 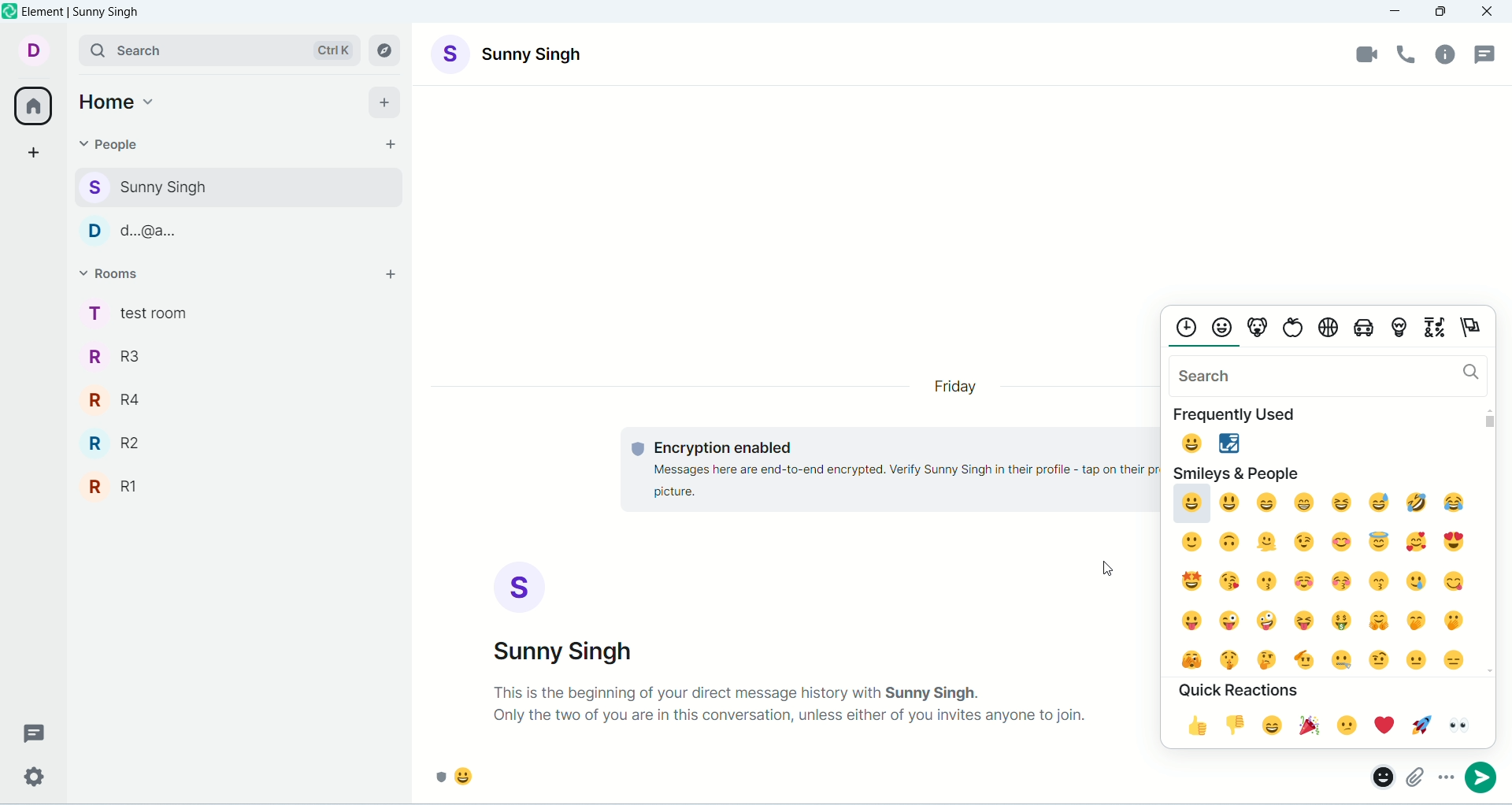 What do you see at coordinates (111, 143) in the screenshot?
I see `people` at bounding box center [111, 143].